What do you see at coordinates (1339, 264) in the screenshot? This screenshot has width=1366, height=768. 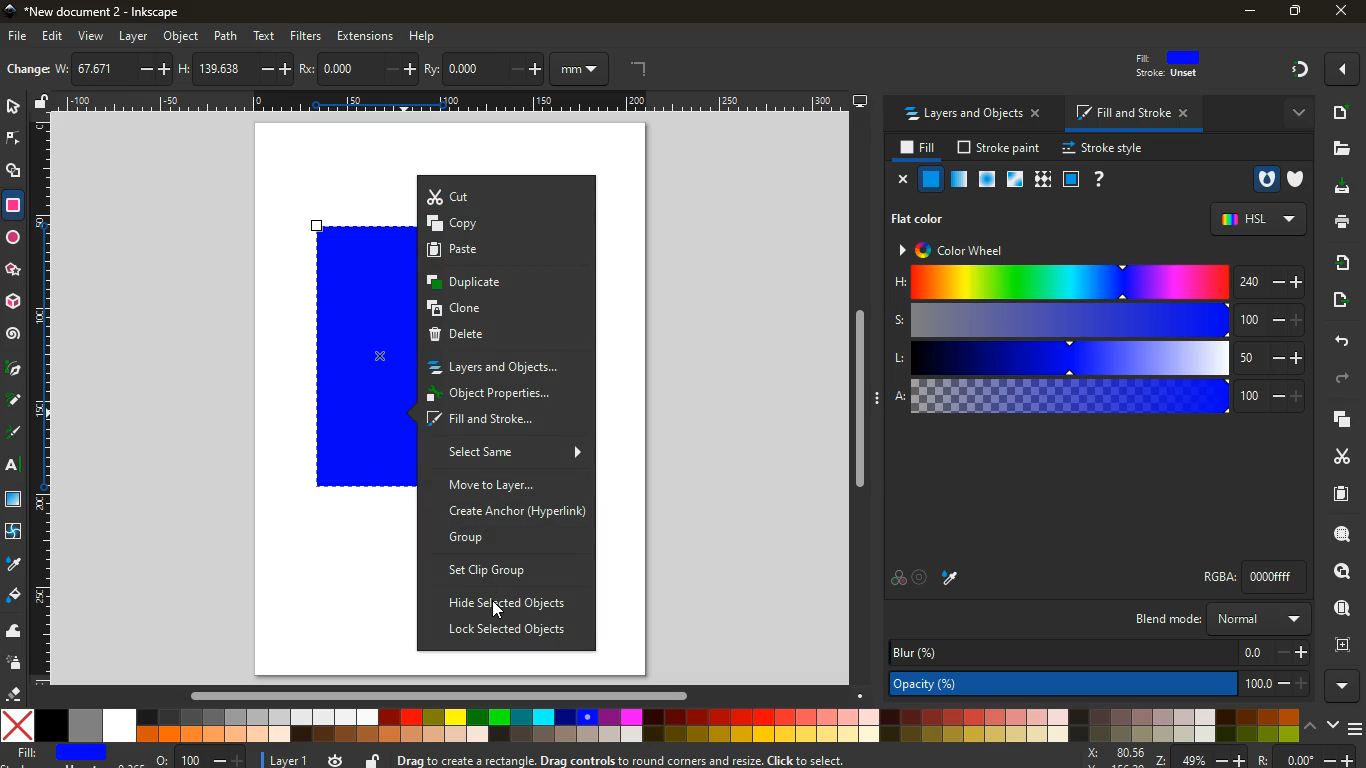 I see `receive` at bounding box center [1339, 264].